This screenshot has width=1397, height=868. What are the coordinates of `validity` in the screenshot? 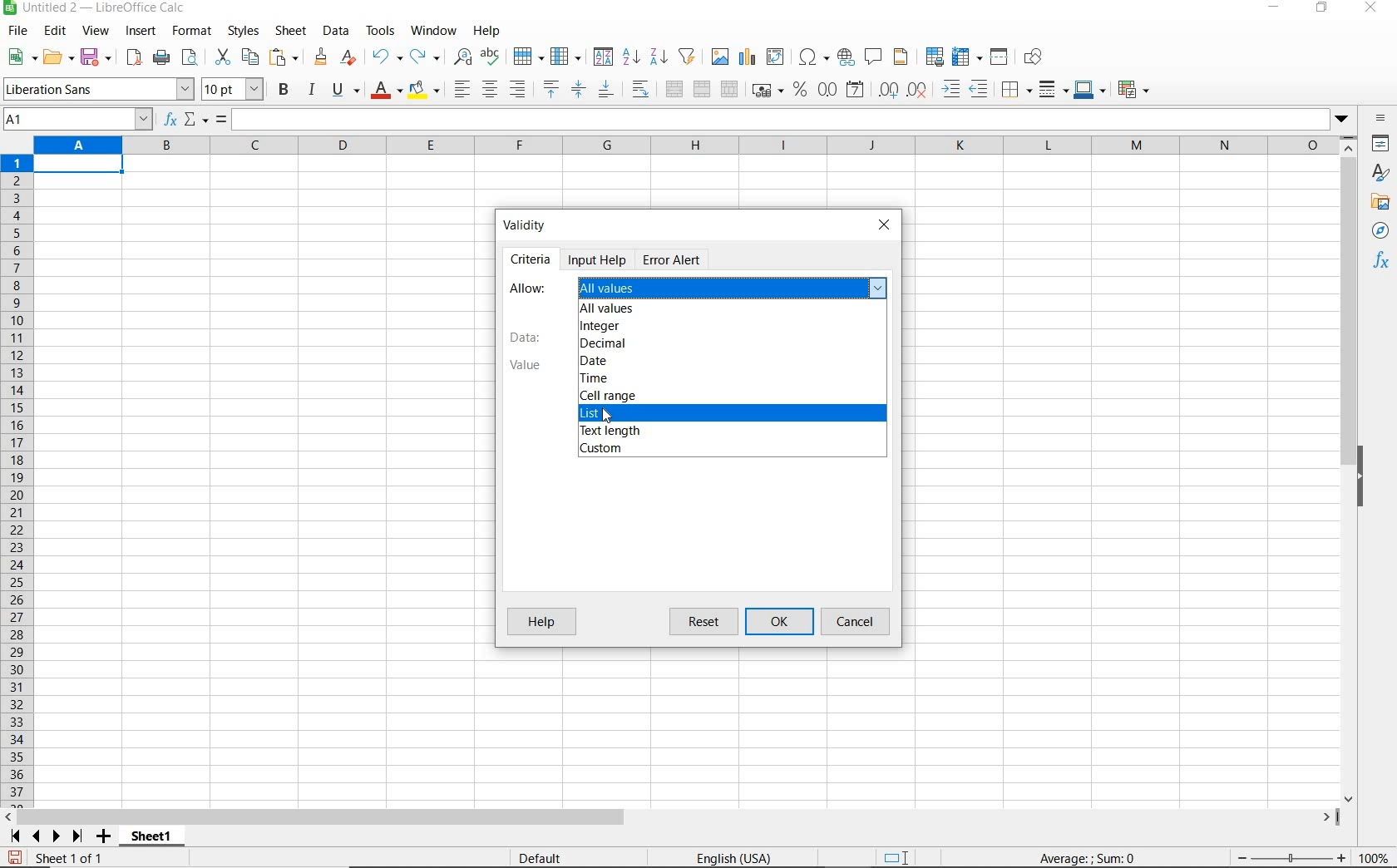 It's located at (530, 223).